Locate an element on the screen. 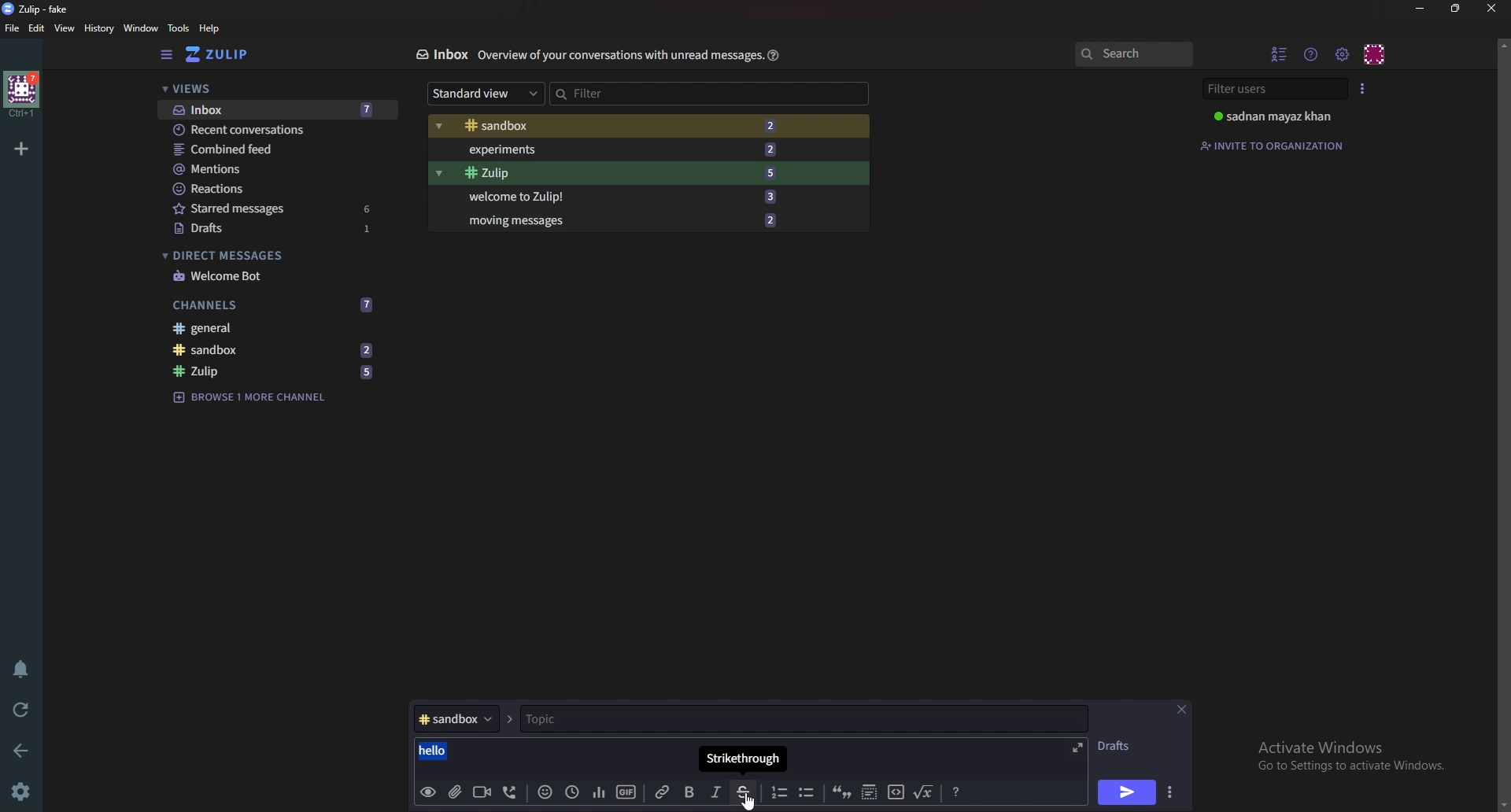 The image size is (1511, 812). Drafts is located at coordinates (1119, 746).